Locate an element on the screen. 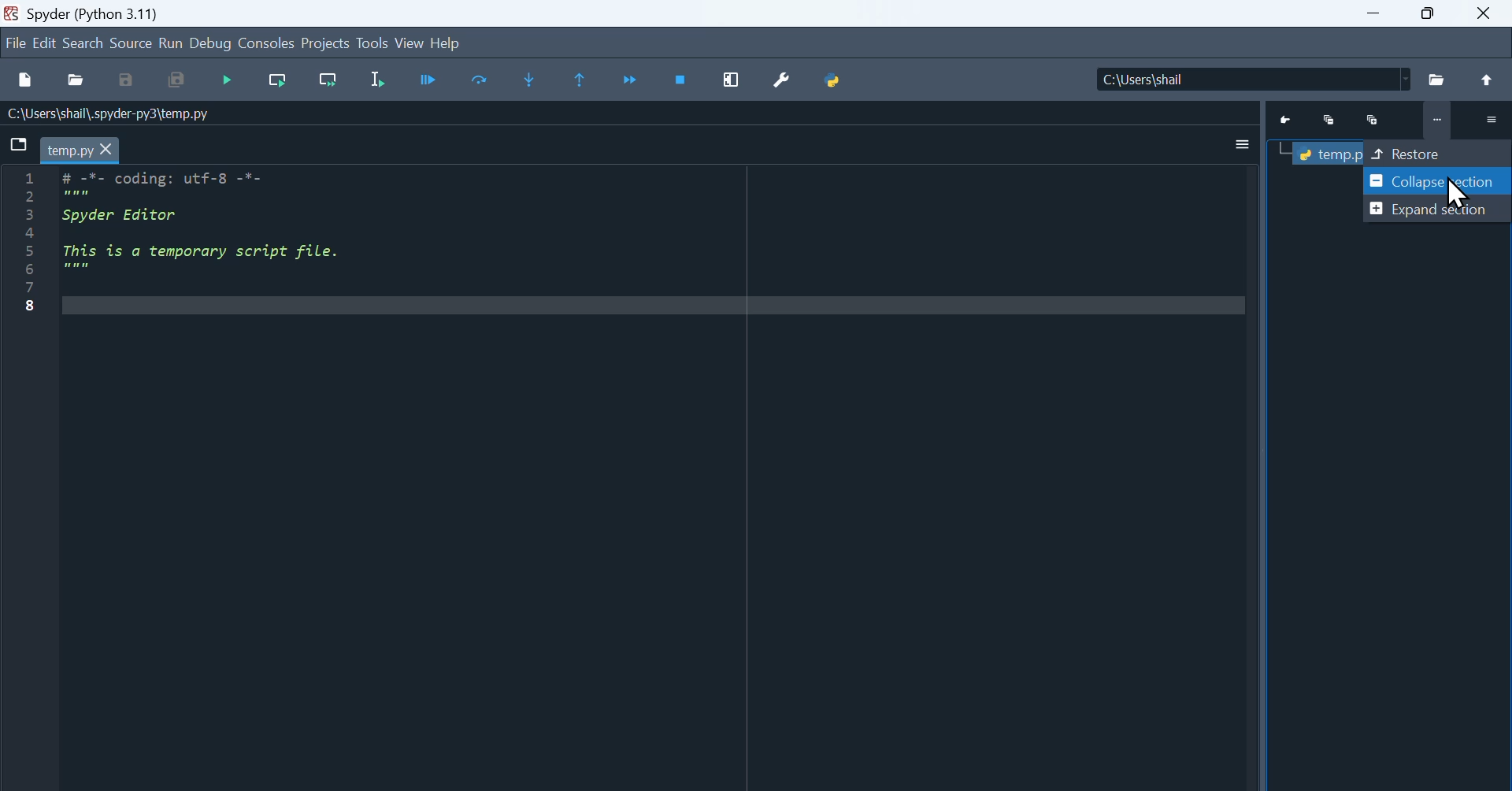 The width and height of the screenshot is (1512, 791). open file is located at coordinates (76, 80).